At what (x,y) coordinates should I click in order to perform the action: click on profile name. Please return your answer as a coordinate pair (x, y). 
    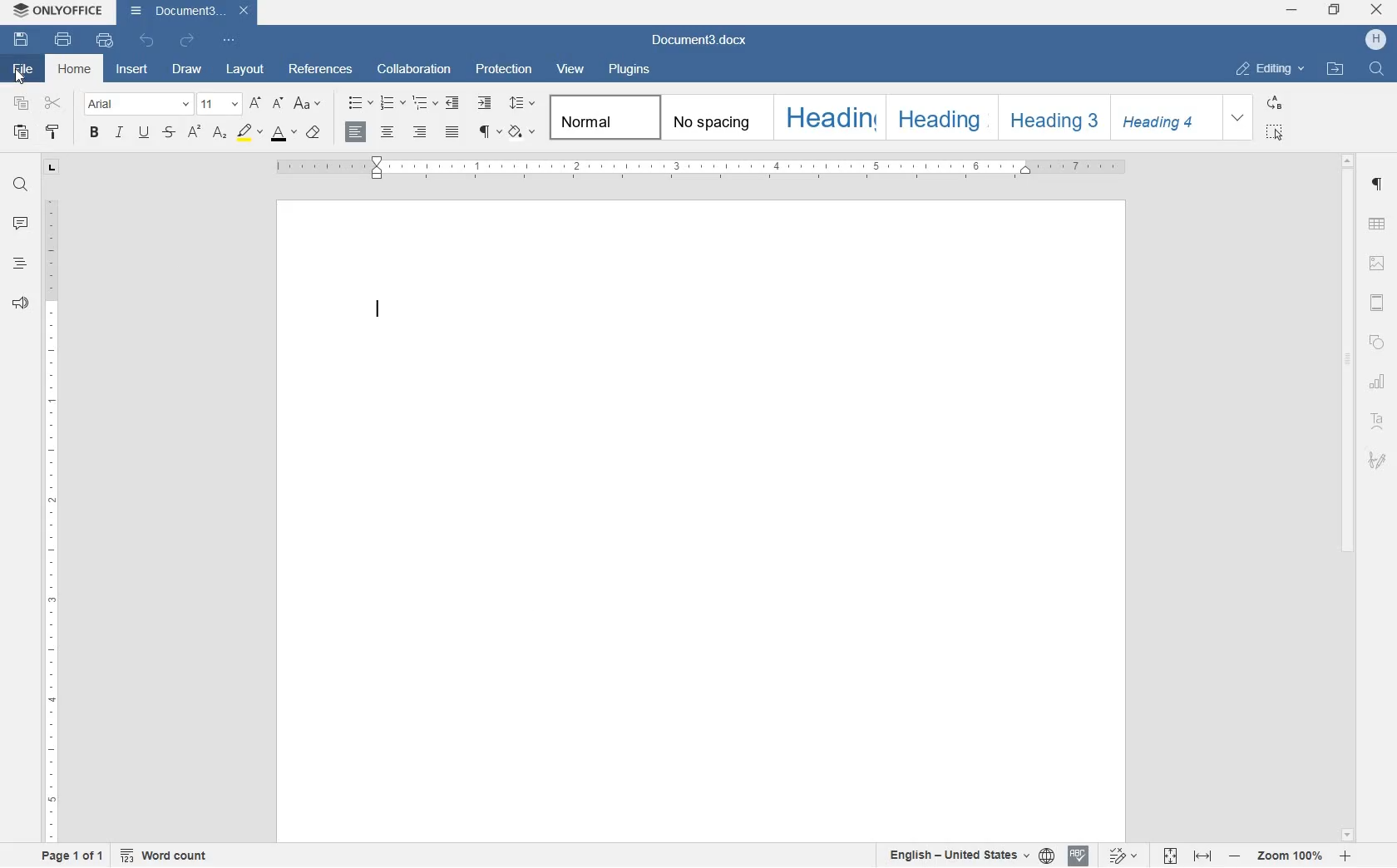
    Looking at the image, I should click on (1374, 39).